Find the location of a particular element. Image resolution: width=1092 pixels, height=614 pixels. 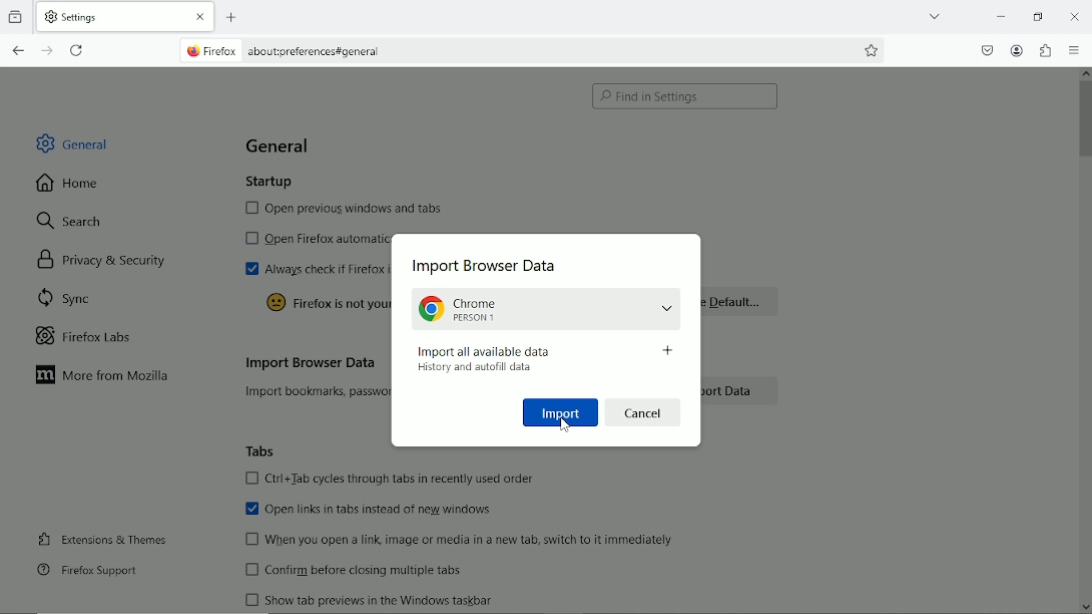

cursor is located at coordinates (563, 428).